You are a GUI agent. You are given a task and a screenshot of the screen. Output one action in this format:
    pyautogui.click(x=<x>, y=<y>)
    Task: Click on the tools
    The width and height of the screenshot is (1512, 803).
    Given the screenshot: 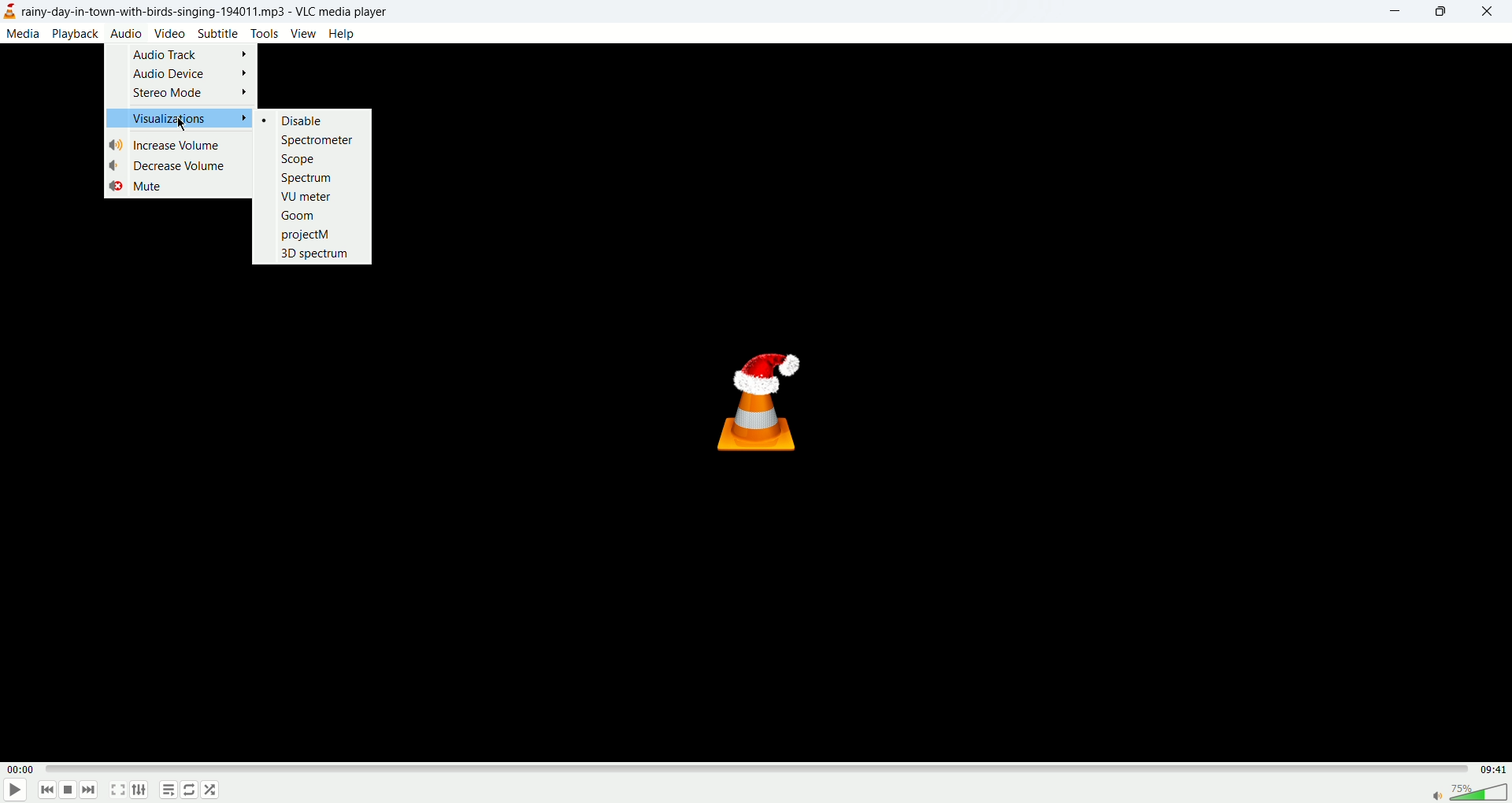 What is the action you would take?
    pyautogui.click(x=264, y=32)
    